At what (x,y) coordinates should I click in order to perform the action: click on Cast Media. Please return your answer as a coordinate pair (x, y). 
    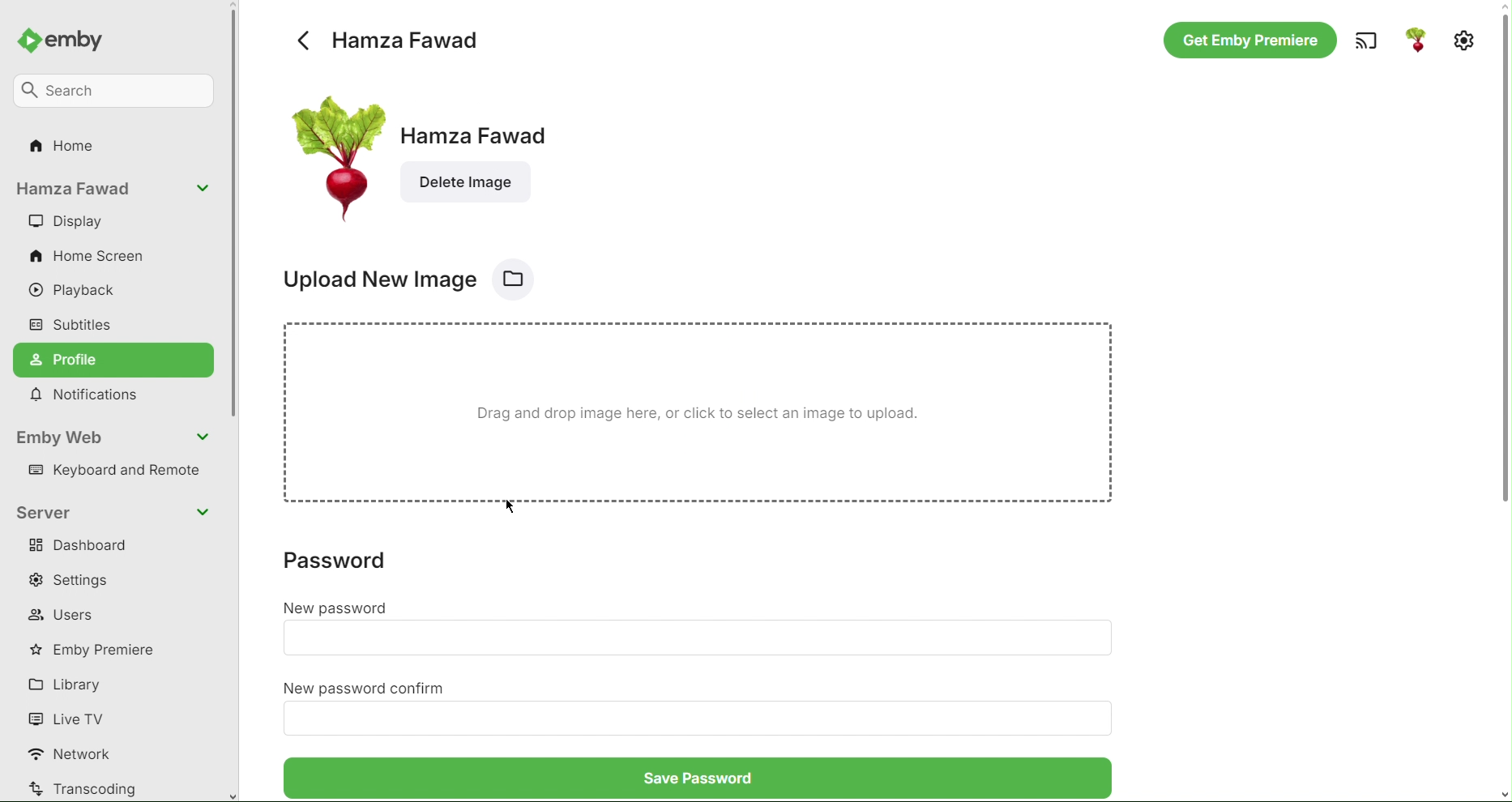
    Looking at the image, I should click on (1364, 41).